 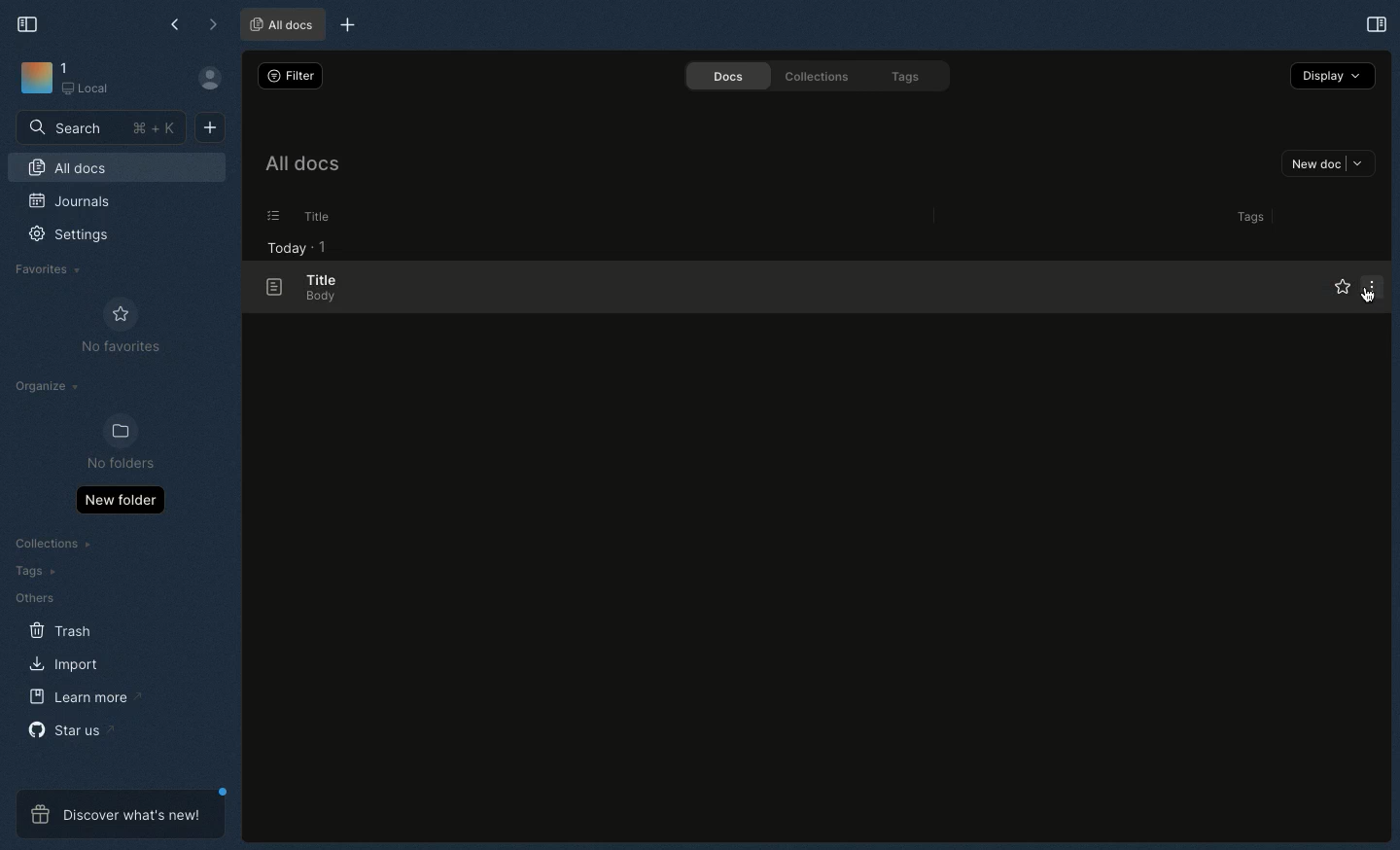 What do you see at coordinates (1329, 288) in the screenshot?
I see `Favorite` at bounding box center [1329, 288].